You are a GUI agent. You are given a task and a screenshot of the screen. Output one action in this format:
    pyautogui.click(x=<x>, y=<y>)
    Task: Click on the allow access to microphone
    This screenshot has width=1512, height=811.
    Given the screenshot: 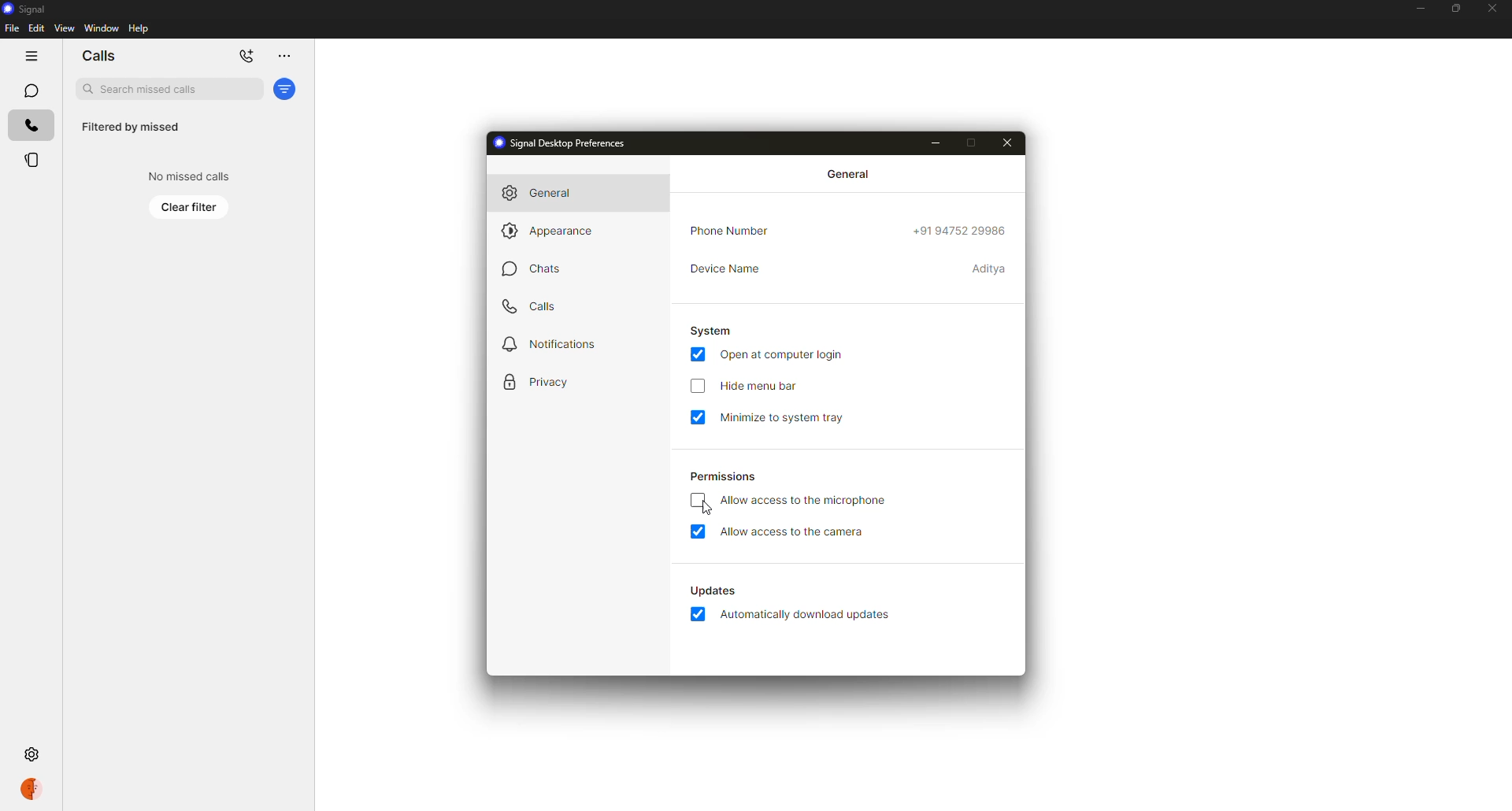 What is the action you would take?
    pyautogui.click(x=806, y=500)
    